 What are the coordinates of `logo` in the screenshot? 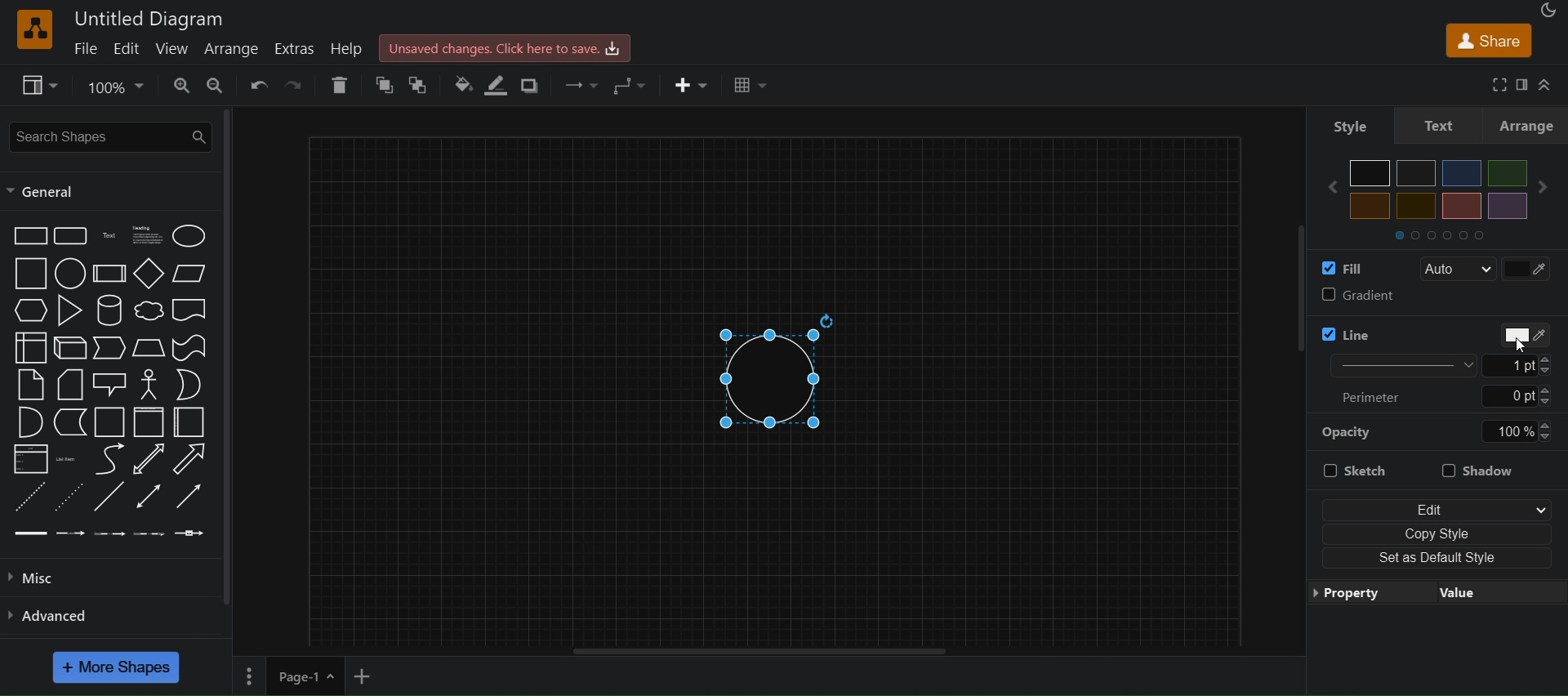 It's located at (33, 29).